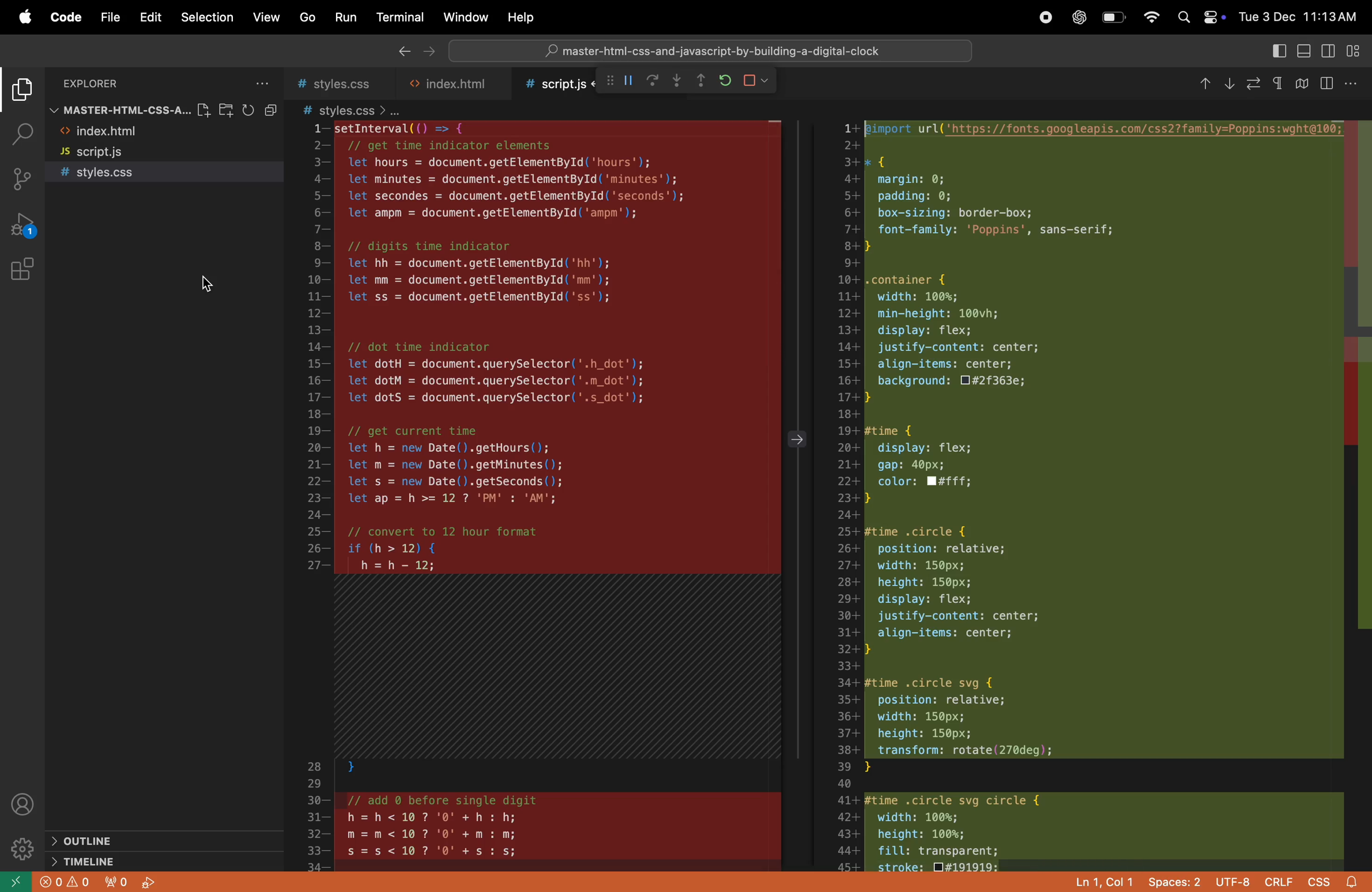 This screenshot has width=1372, height=892. I want to click on view, so click(265, 17).